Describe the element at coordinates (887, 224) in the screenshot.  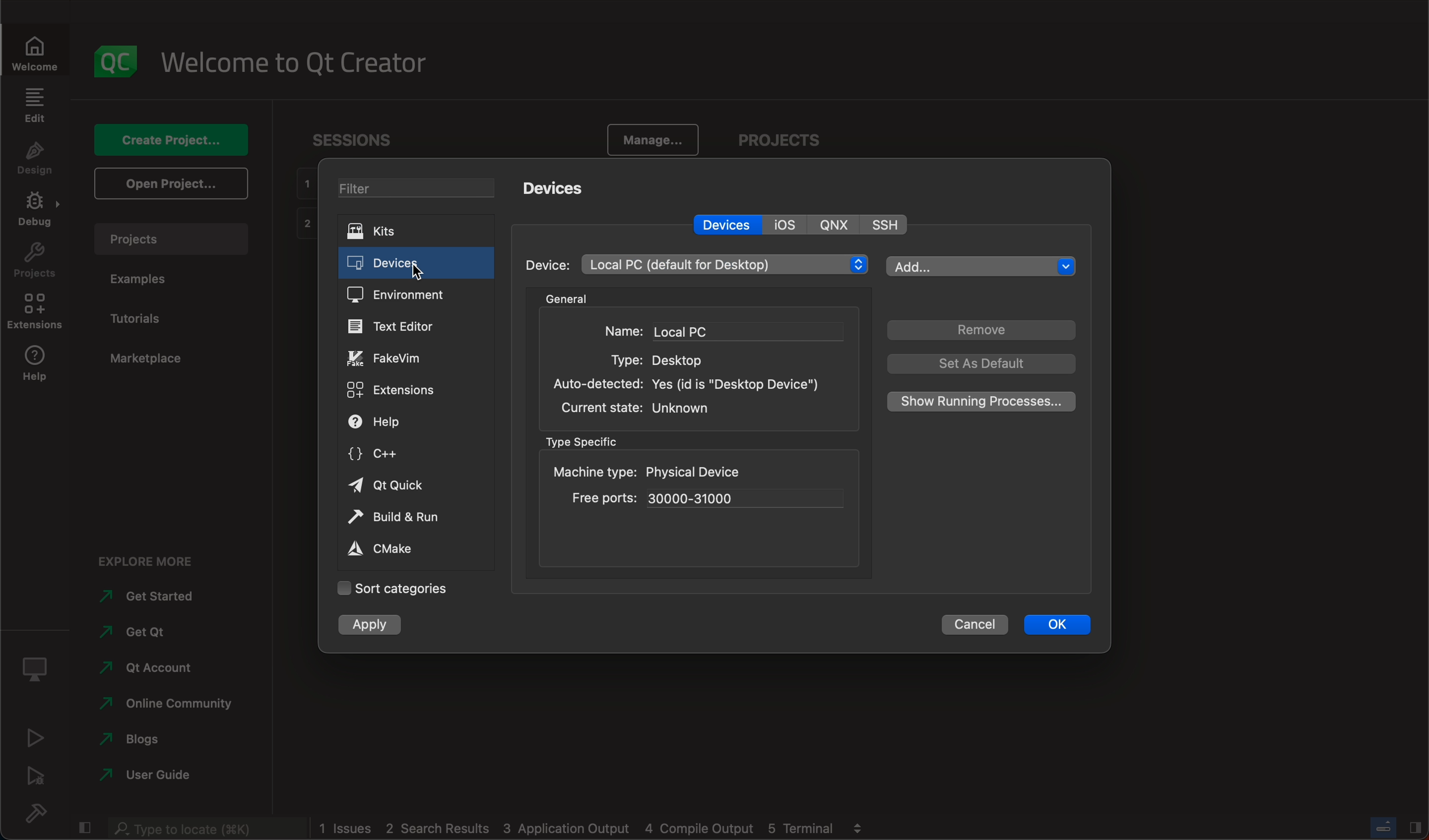
I see `SSH` at that location.